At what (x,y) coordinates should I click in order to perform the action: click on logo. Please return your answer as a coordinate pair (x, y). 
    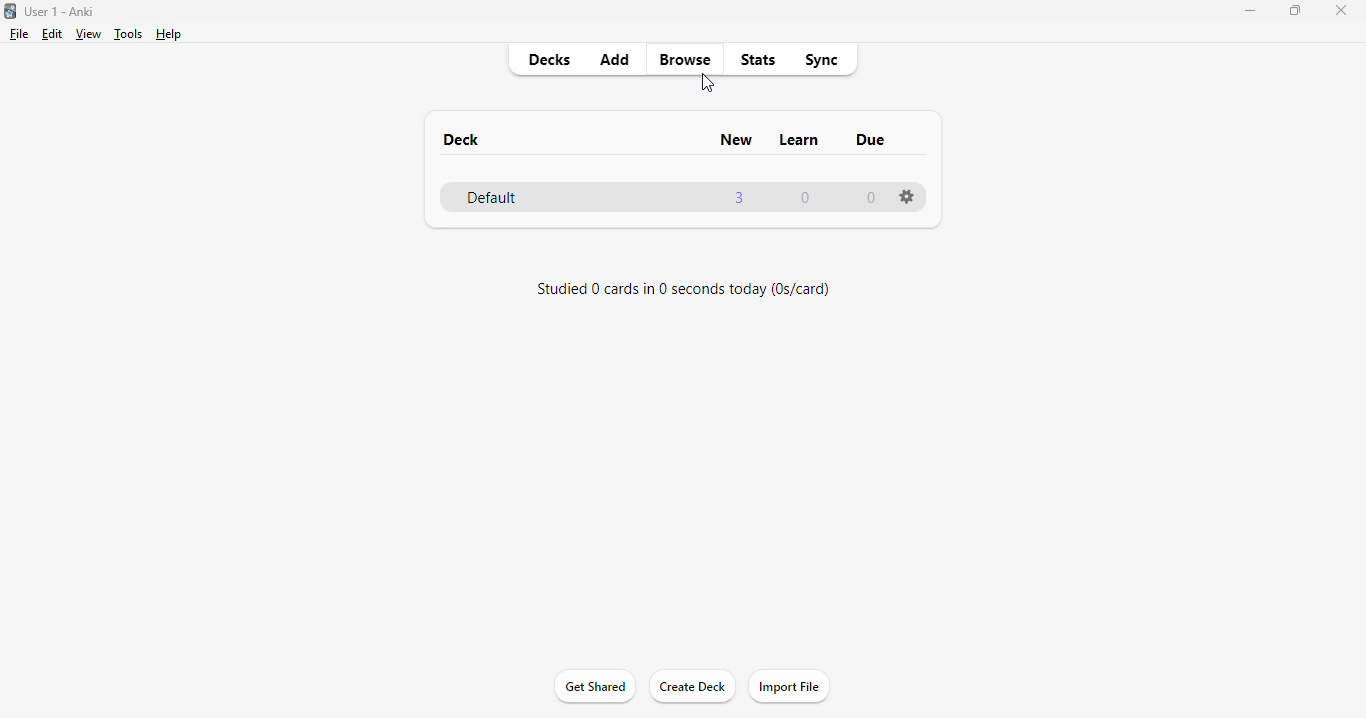
    Looking at the image, I should click on (9, 11).